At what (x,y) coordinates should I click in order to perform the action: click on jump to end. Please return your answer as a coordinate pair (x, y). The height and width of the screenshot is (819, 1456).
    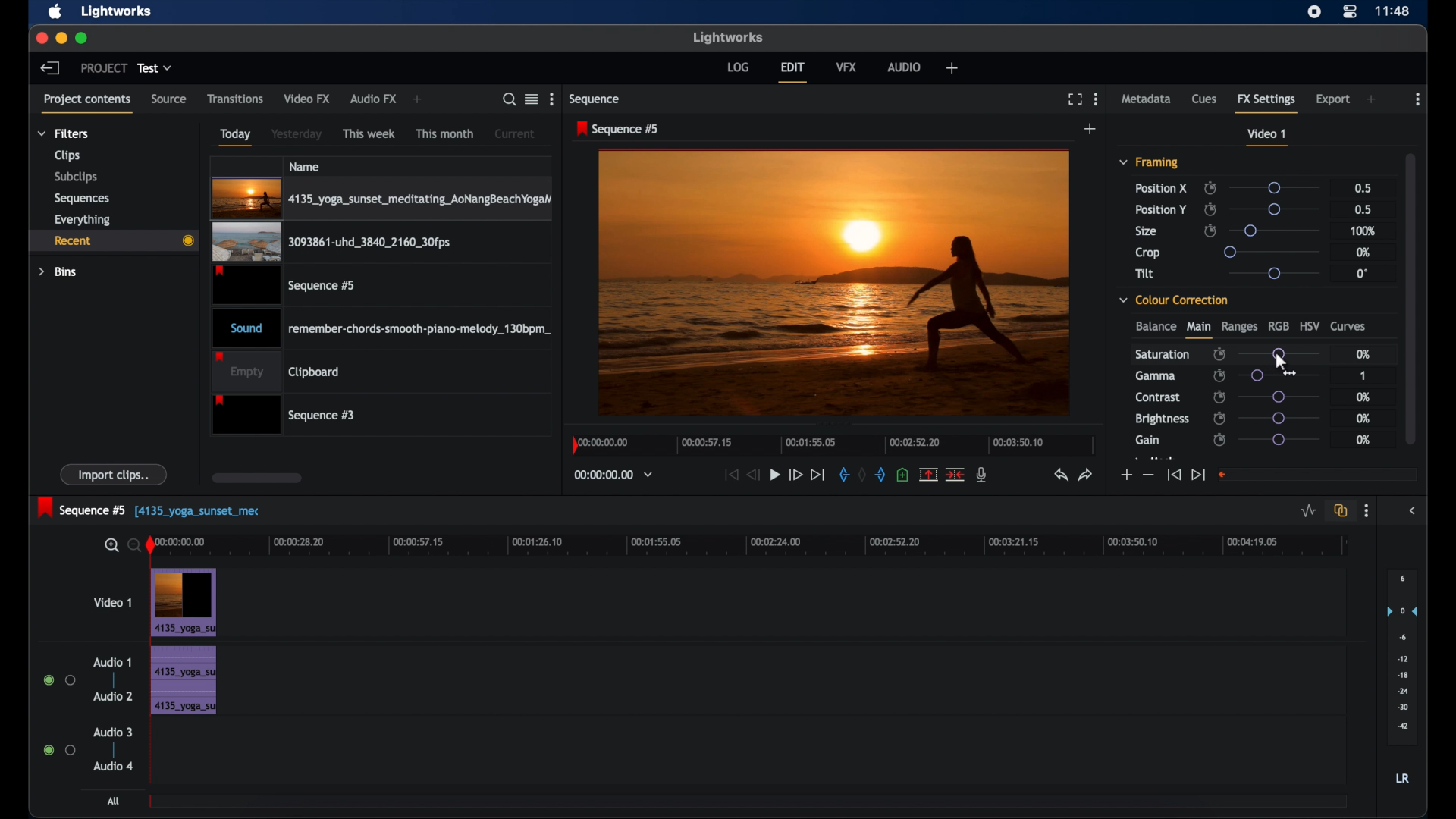
    Looking at the image, I should click on (1198, 474).